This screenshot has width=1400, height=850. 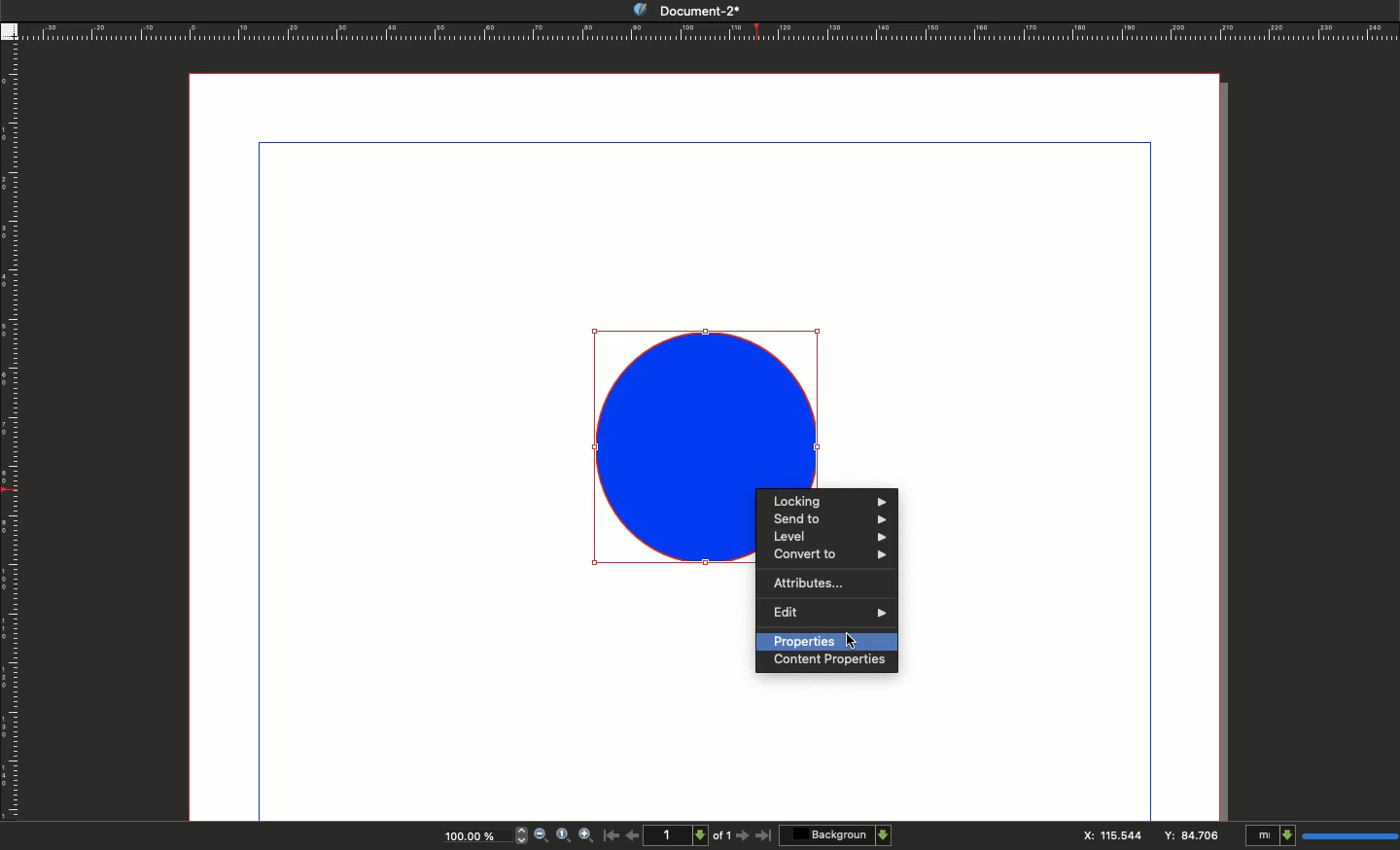 What do you see at coordinates (764, 836) in the screenshot?
I see `Last page` at bounding box center [764, 836].